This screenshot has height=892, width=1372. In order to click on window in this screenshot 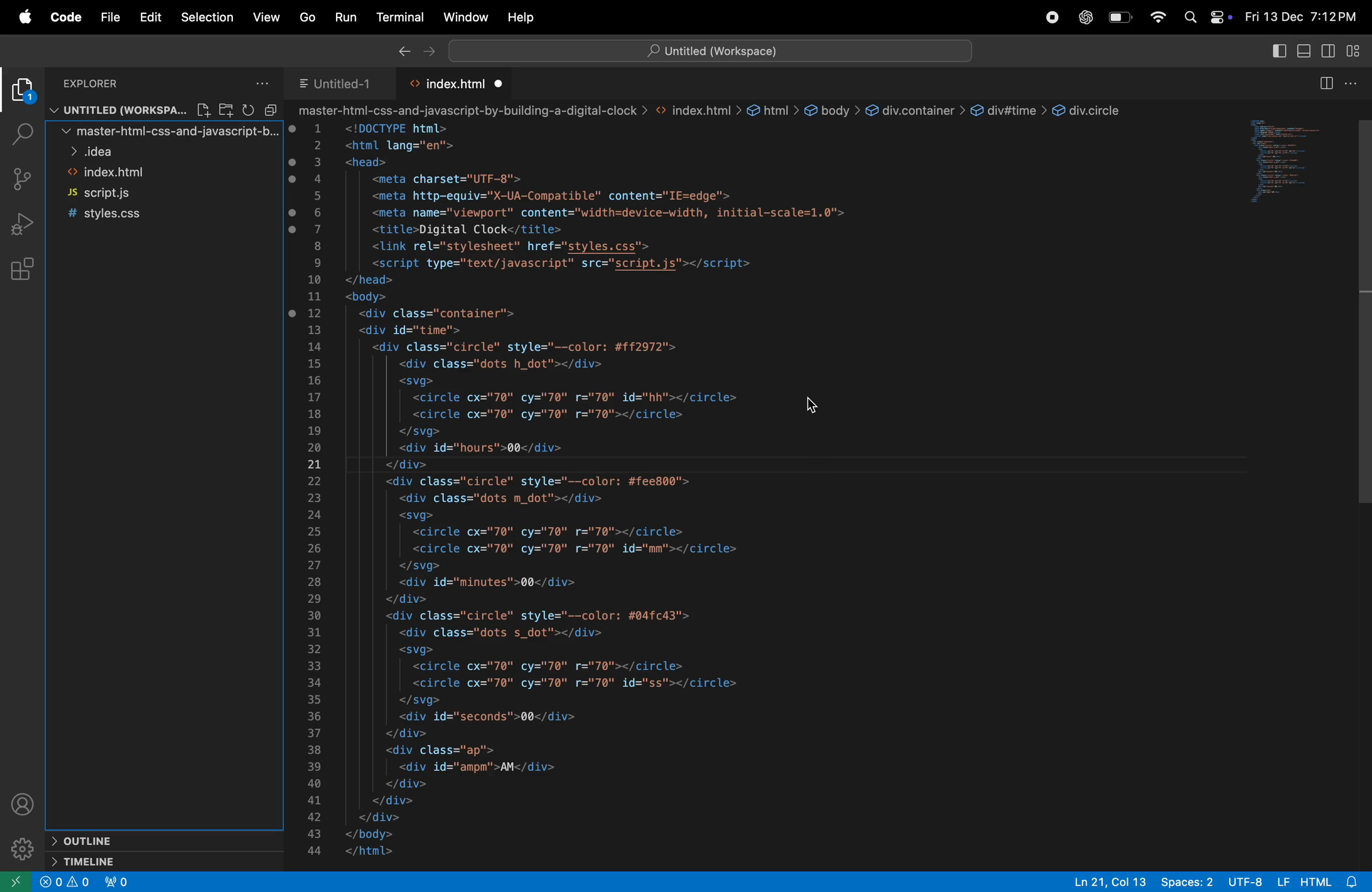, I will do `click(464, 17)`.